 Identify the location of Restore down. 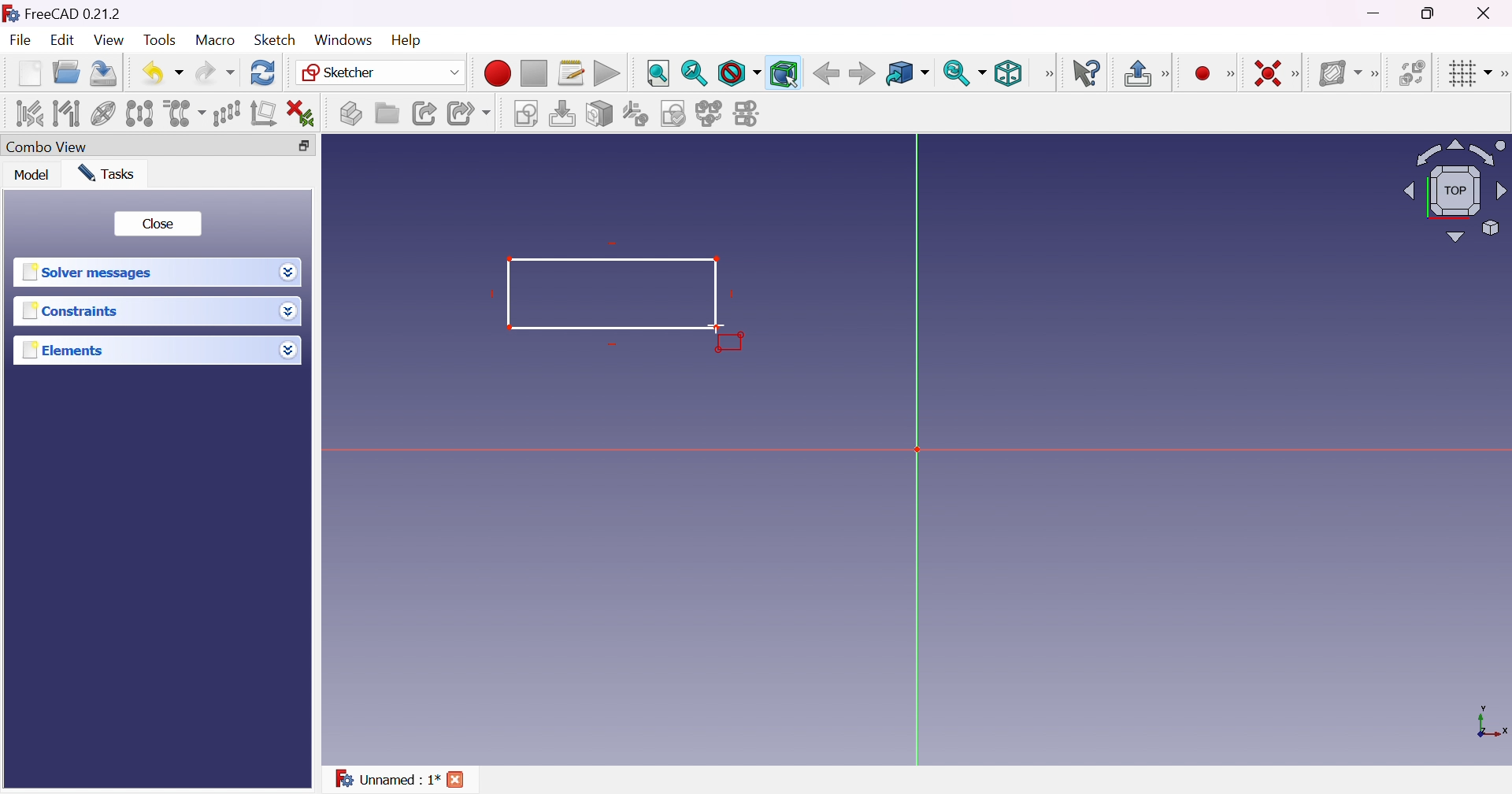
(1431, 13).